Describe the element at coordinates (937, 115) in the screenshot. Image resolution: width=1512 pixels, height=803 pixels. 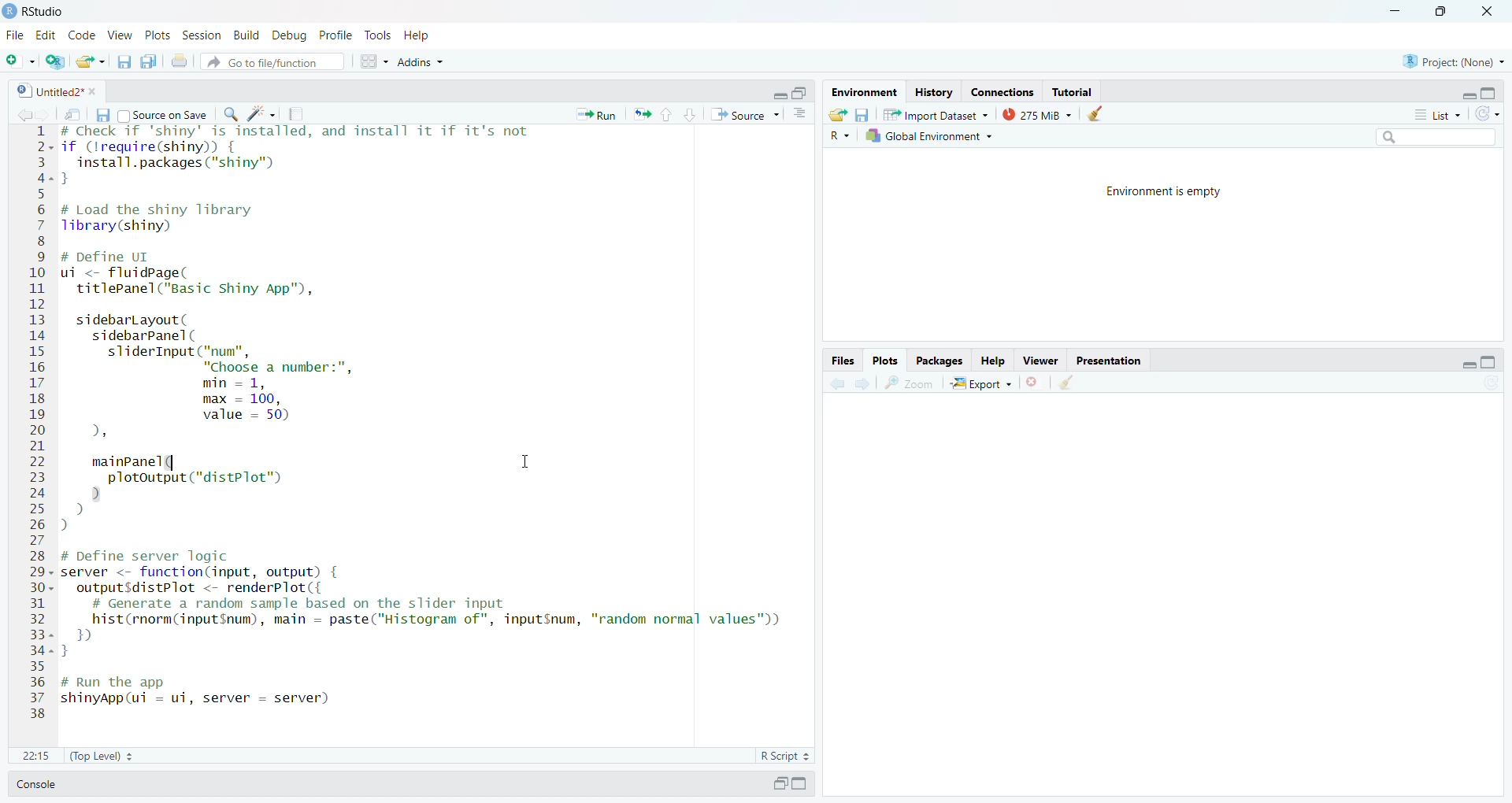
I see `Import Dataset` at that location.